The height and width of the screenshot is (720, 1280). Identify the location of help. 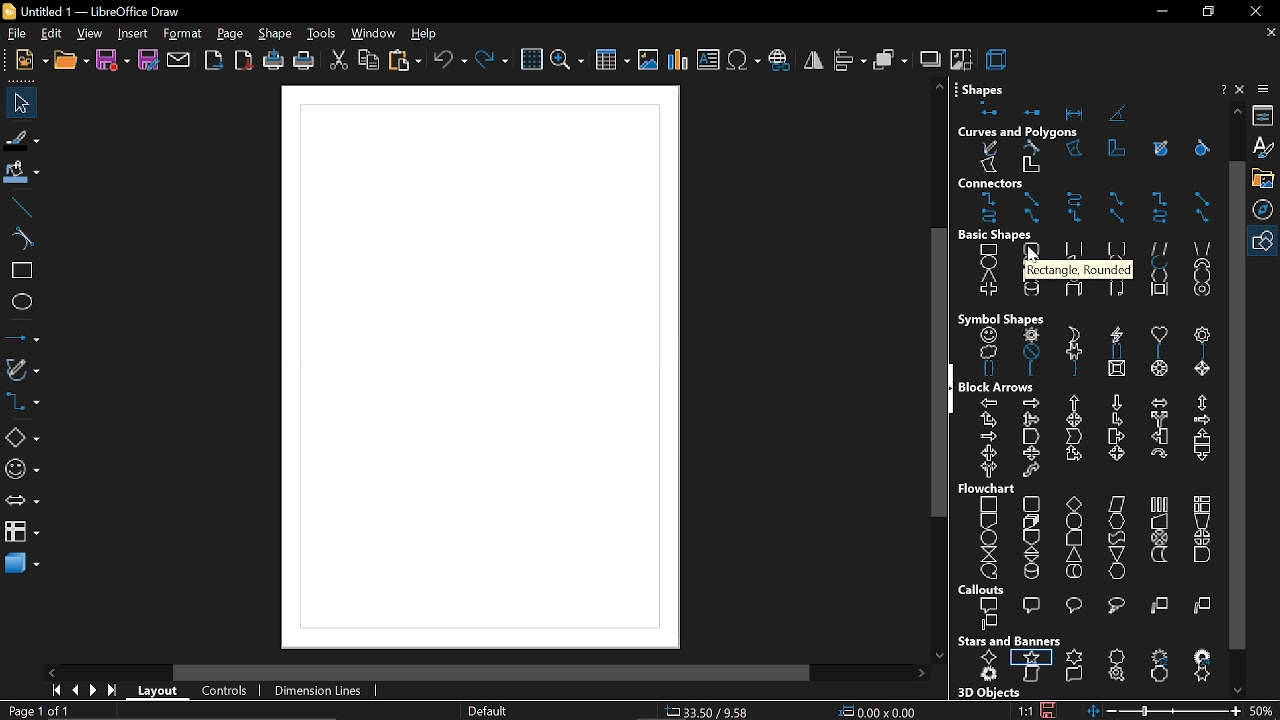
(425, 35).